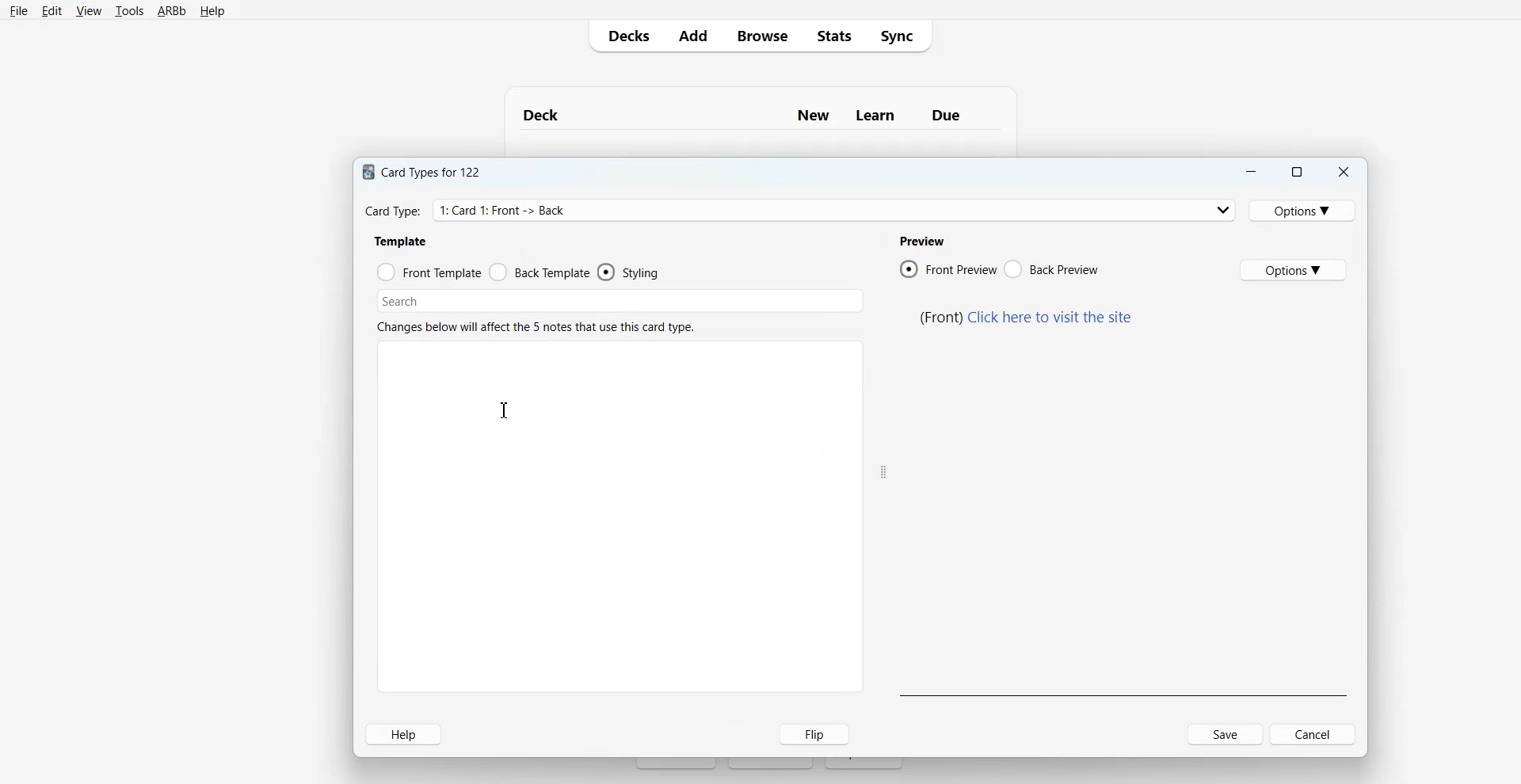  Describe the element at coordinates (1251, 170) in the screenshot. I see `Minimize` at that location.